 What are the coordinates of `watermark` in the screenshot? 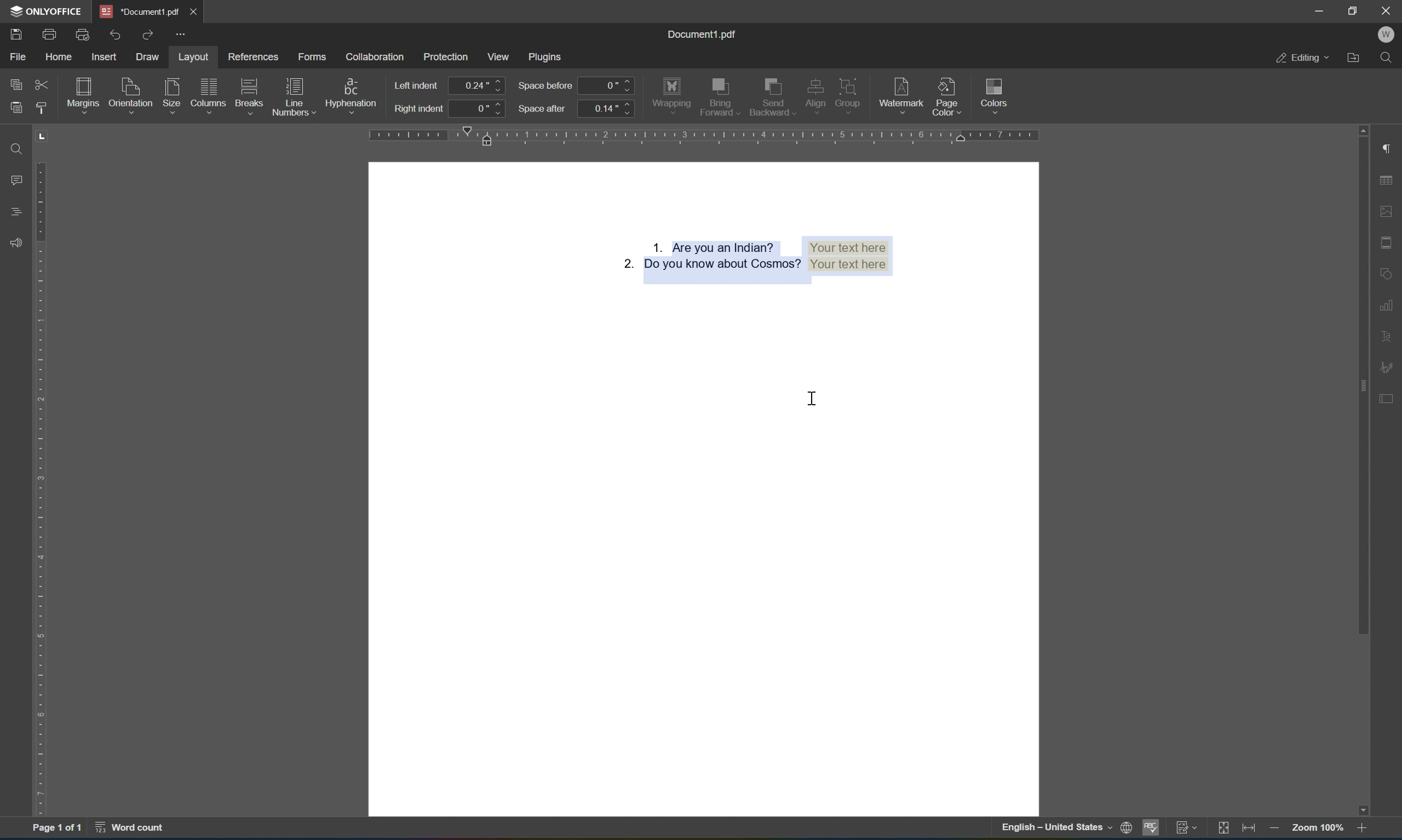 It's located at (902, 92).